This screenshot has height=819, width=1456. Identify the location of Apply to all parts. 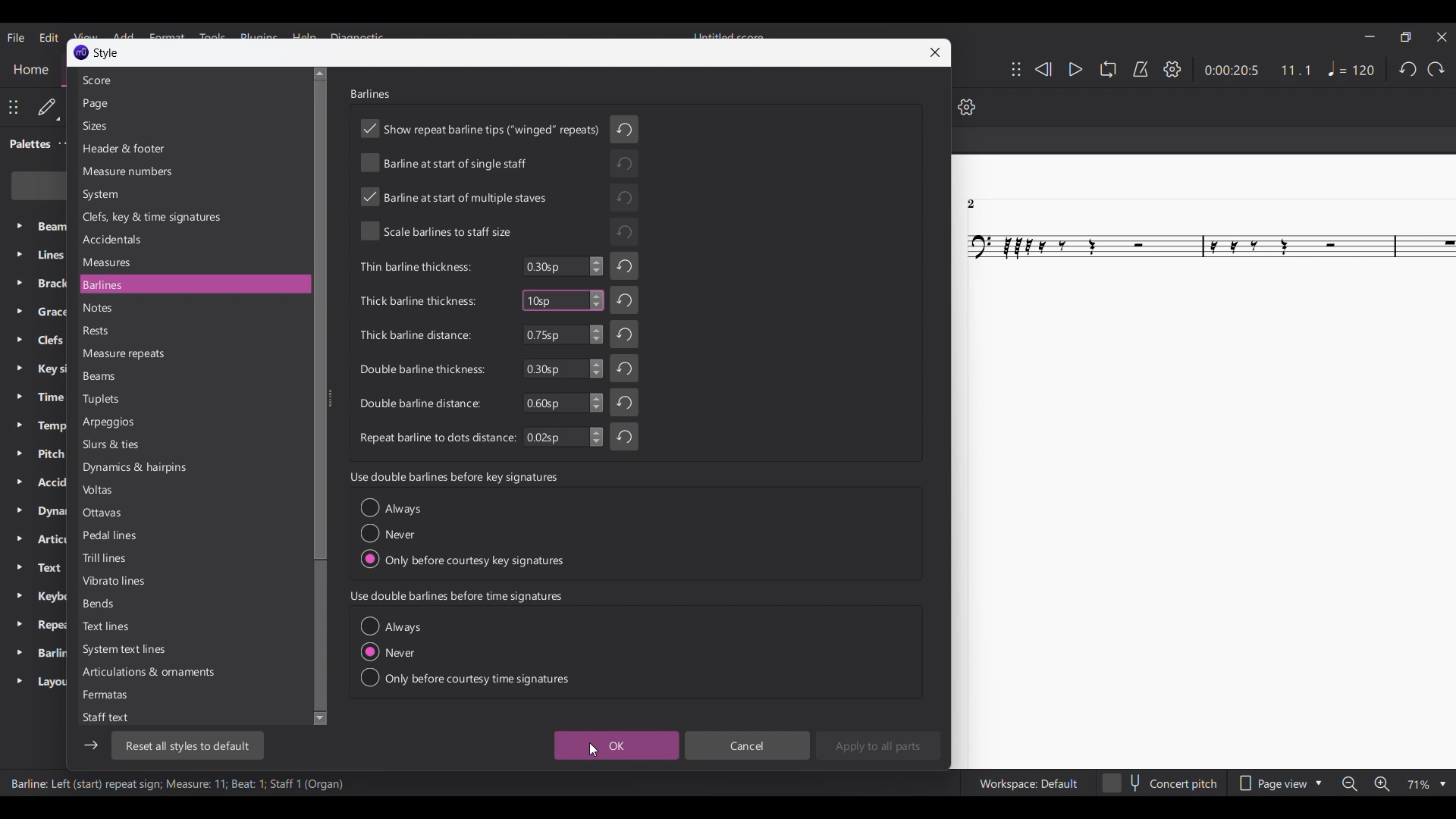
(878, 745).